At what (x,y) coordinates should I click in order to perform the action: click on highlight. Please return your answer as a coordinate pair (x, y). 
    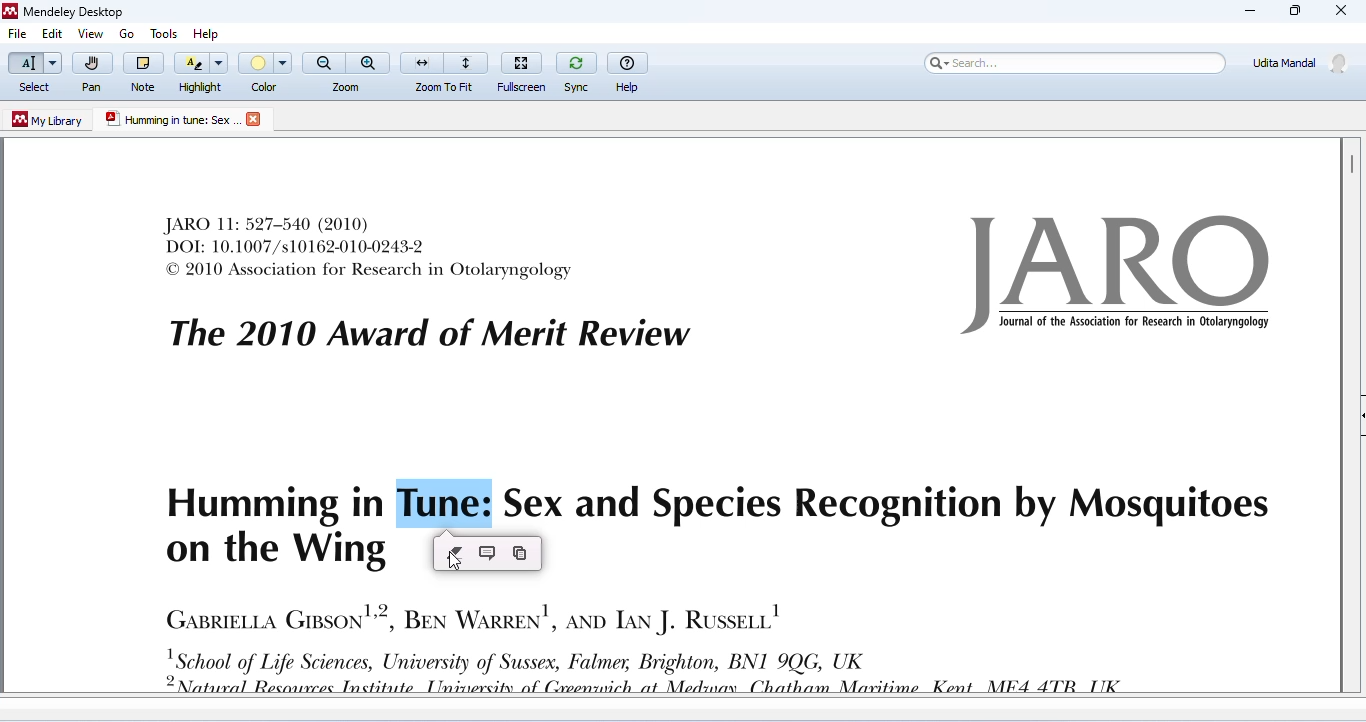
    Looking at the image, I should click on (202, 71).